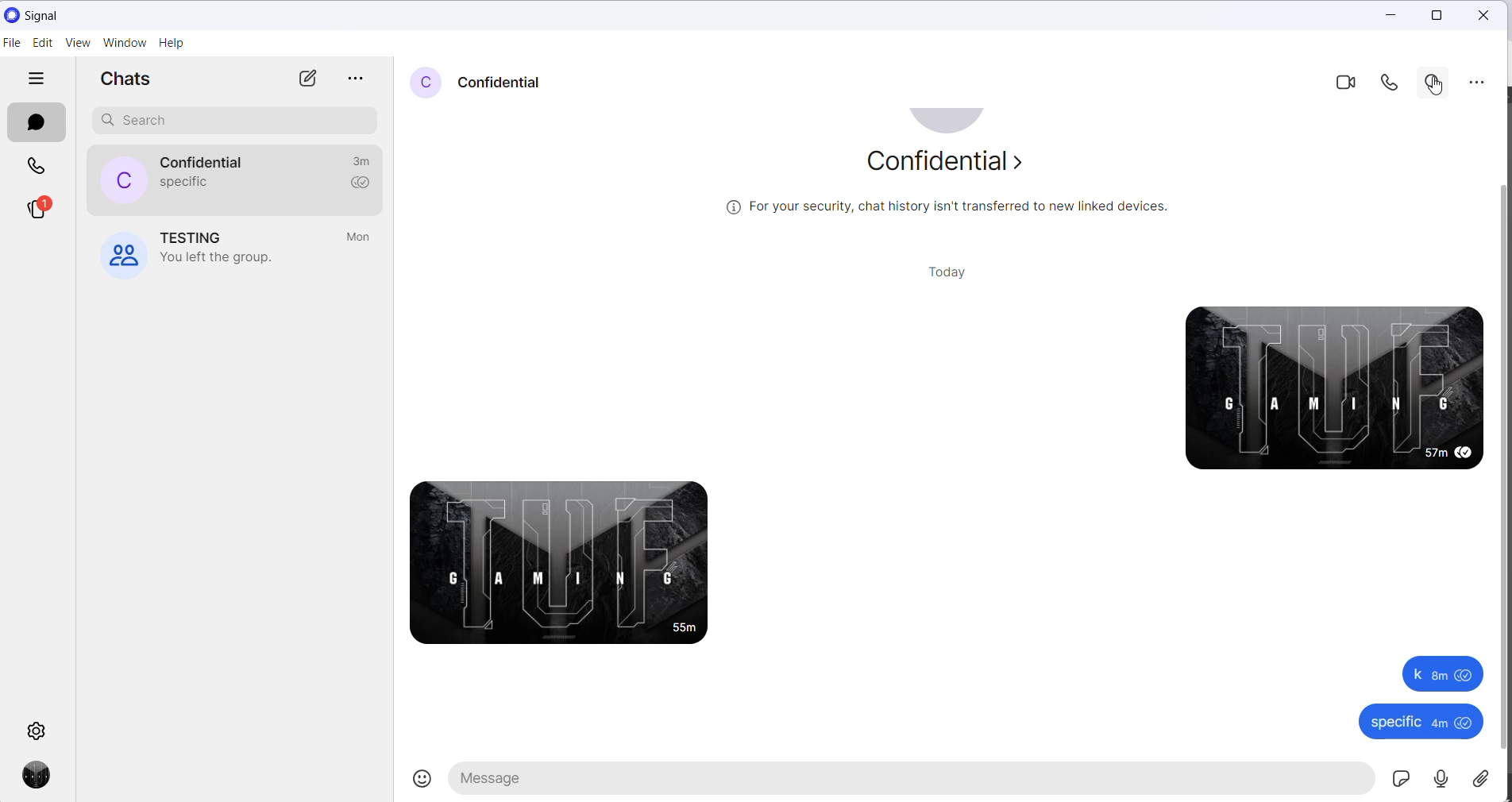 The width and height of the screenshot is (1512, 802). I want to click on close, so click(1393, 15).